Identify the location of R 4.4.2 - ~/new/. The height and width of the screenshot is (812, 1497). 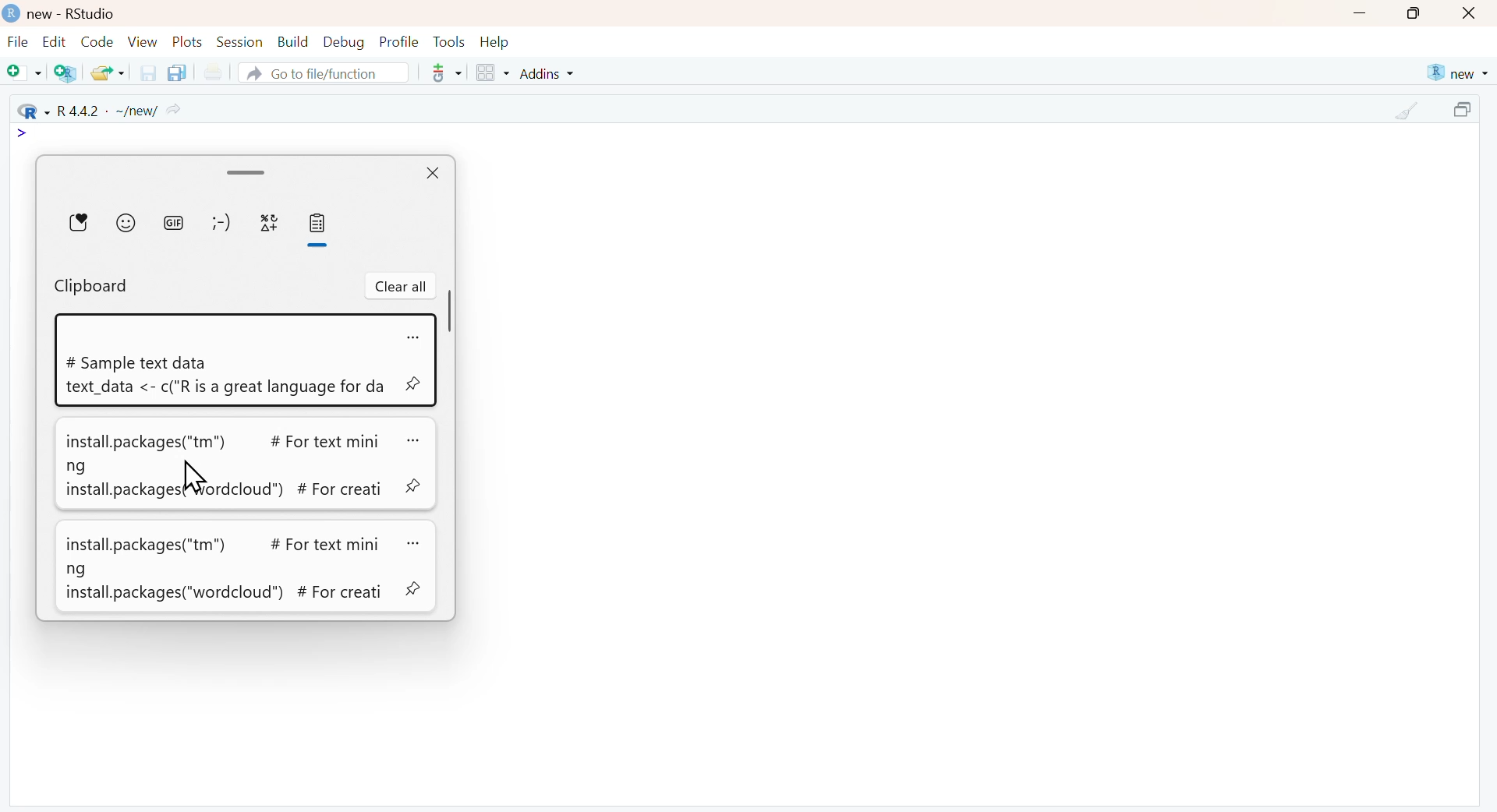
(101, 110).